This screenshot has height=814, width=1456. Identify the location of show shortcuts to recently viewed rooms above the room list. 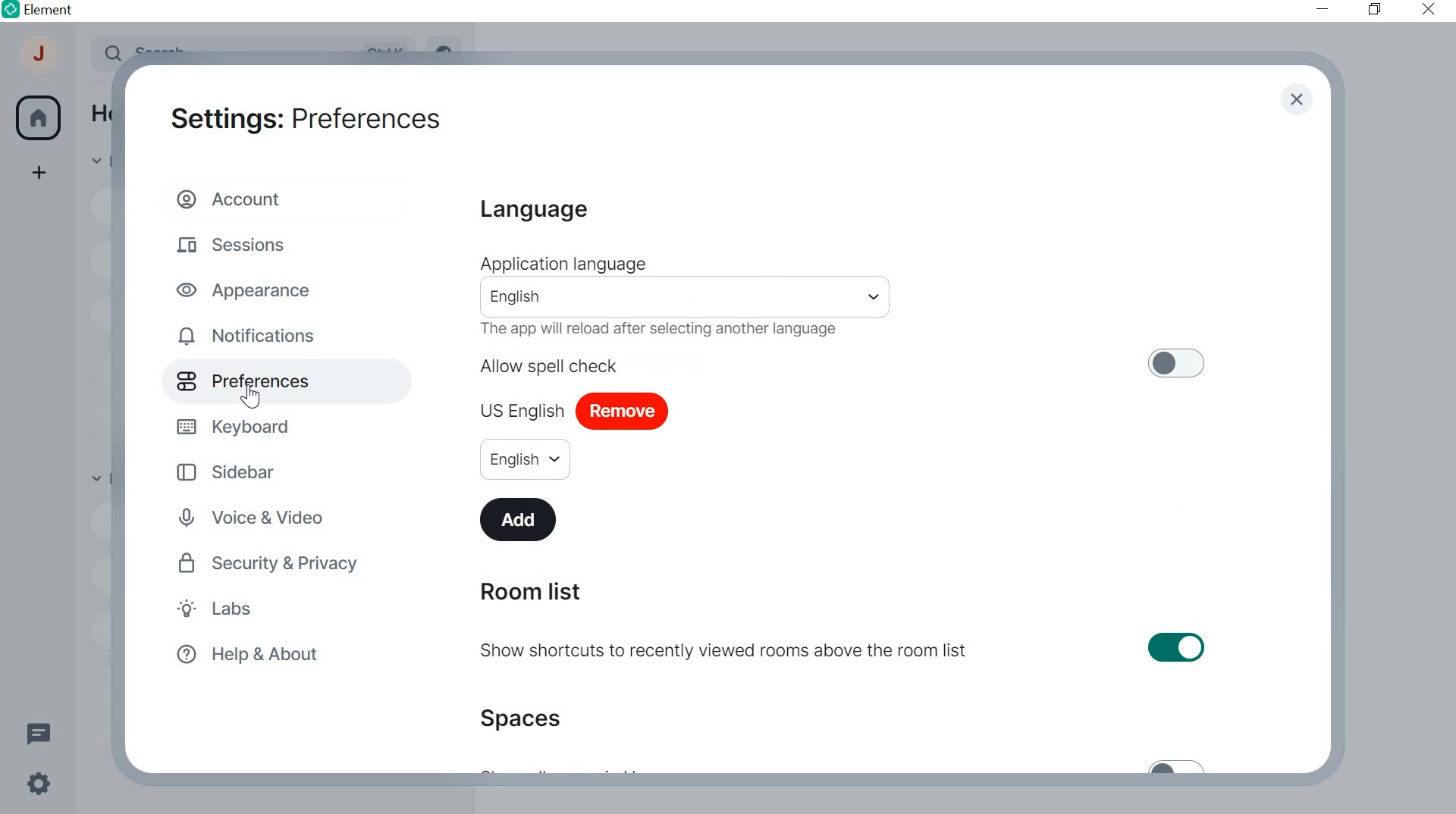
(845, 650).